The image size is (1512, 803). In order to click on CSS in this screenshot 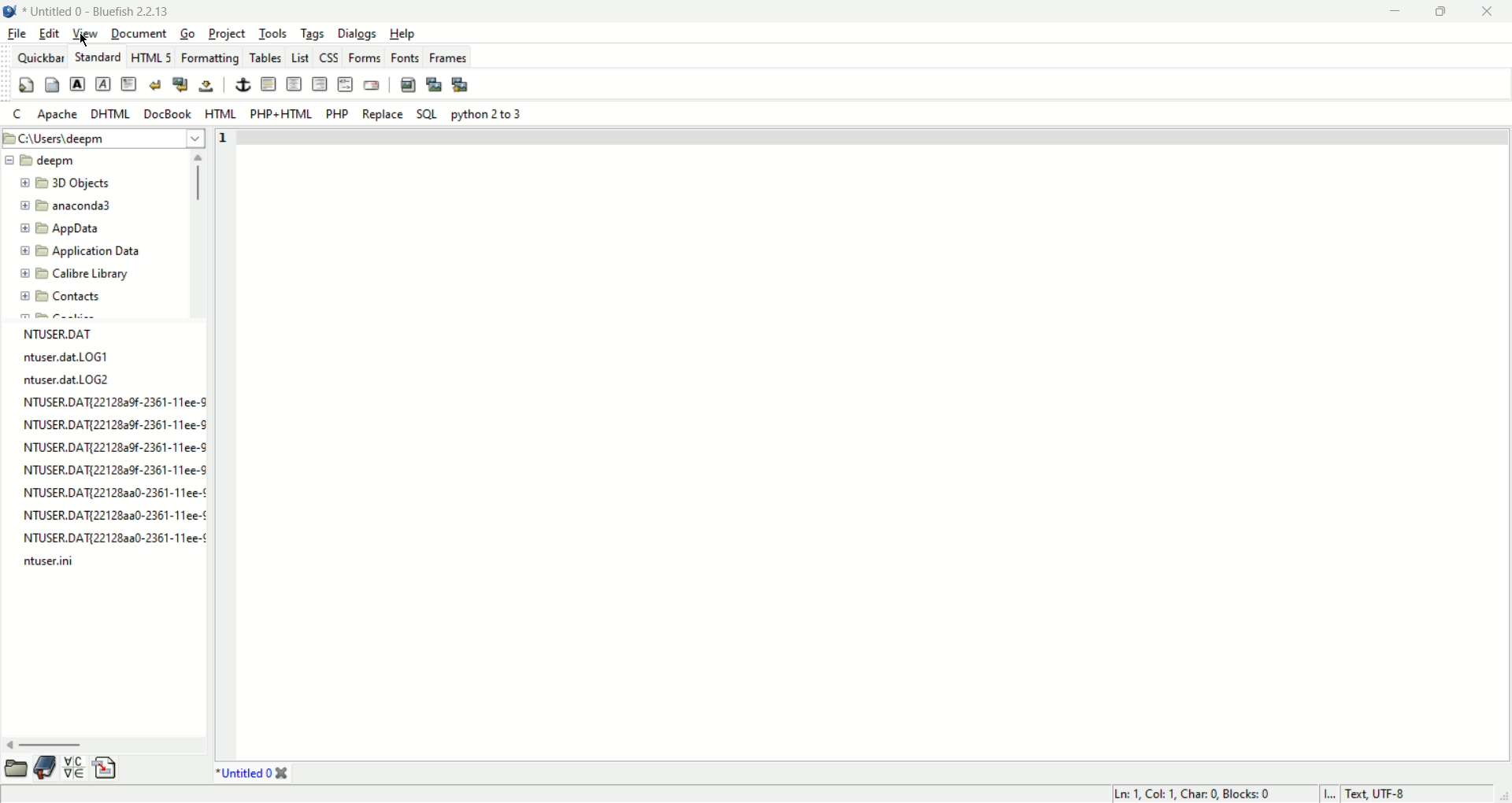, I will do `click(328, 56)`.